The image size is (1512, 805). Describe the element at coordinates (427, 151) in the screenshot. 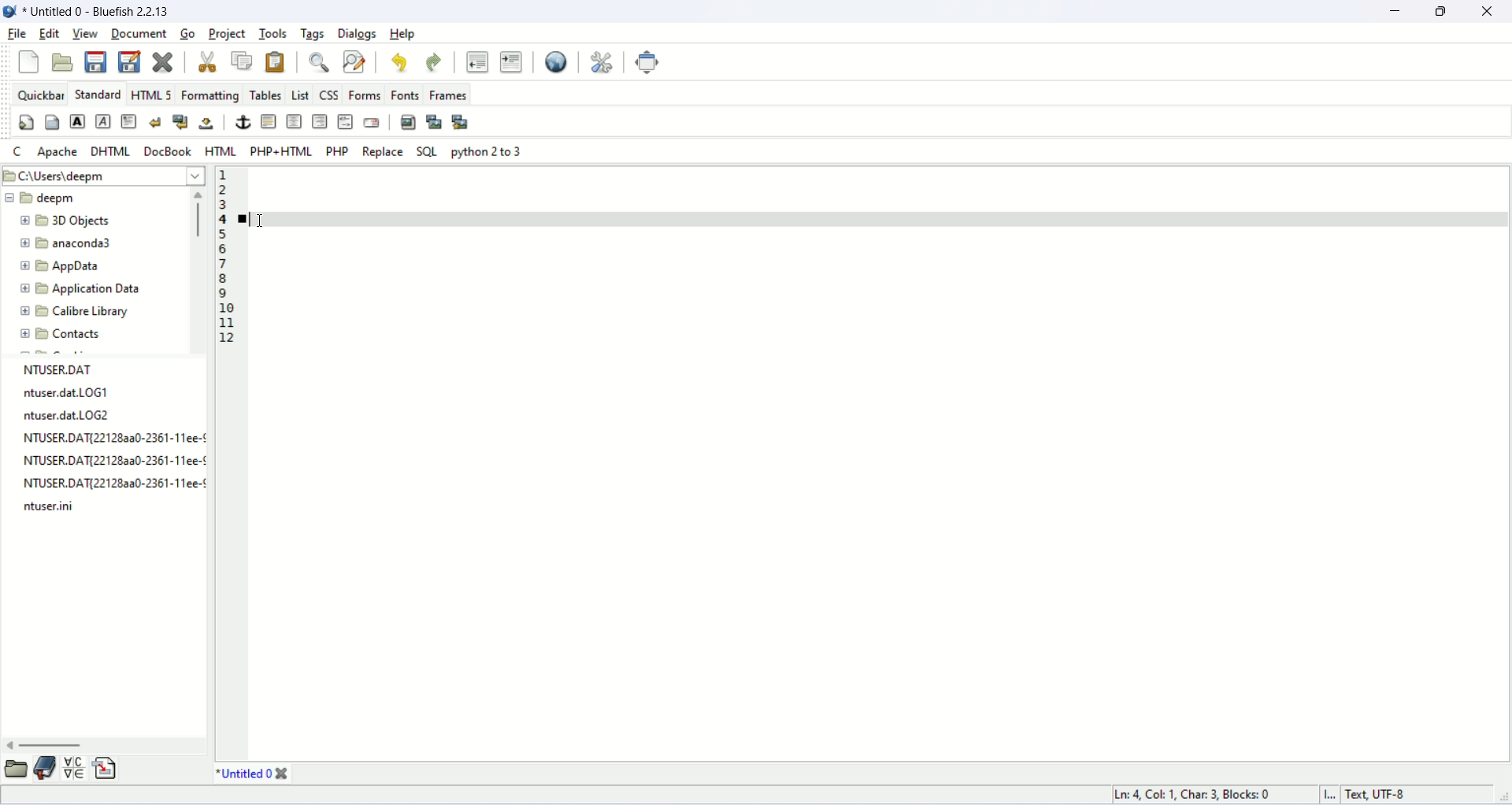

I see `SQL` at that location.